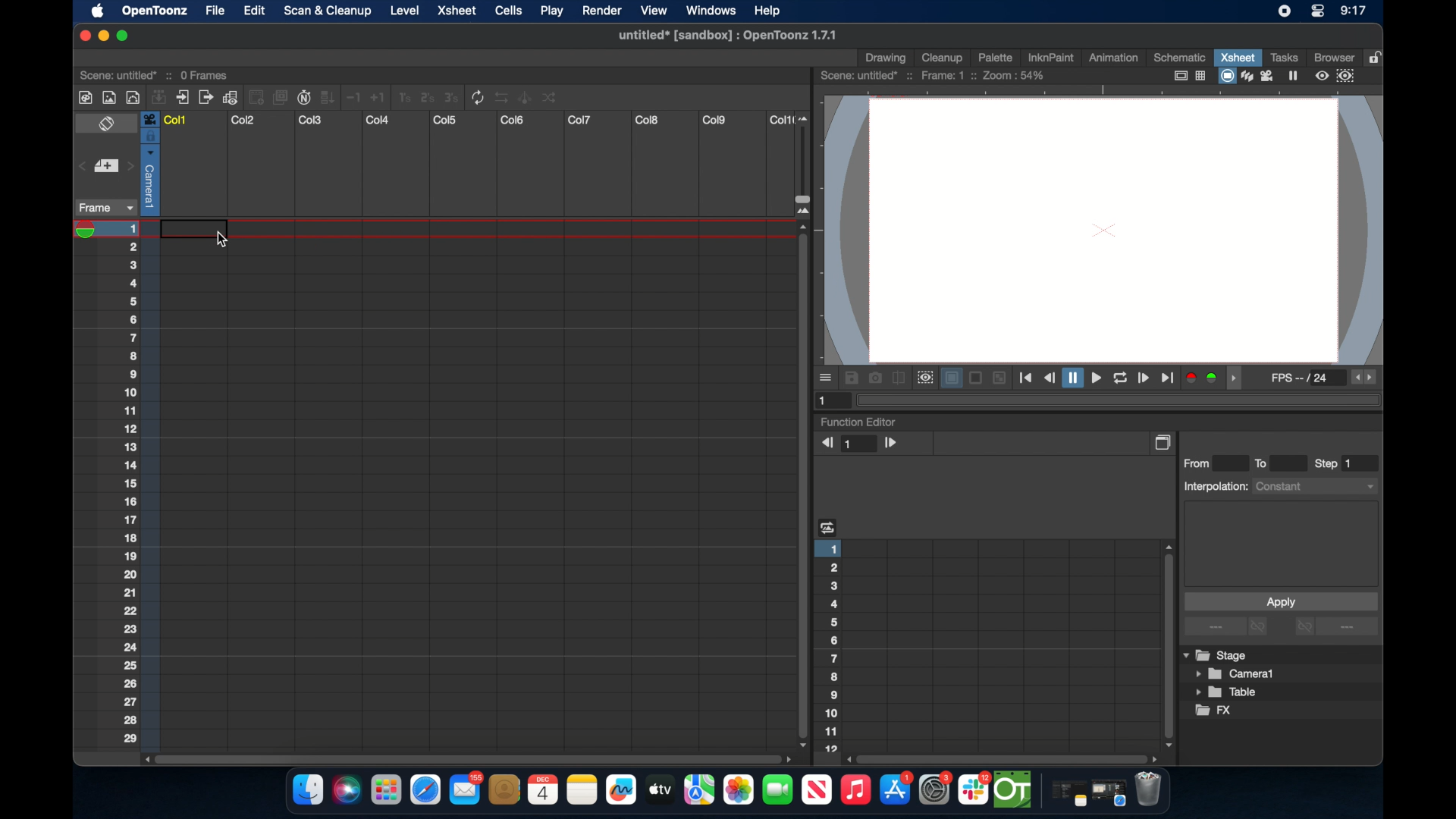  I want to click on interpolations, so click(1279, 485).